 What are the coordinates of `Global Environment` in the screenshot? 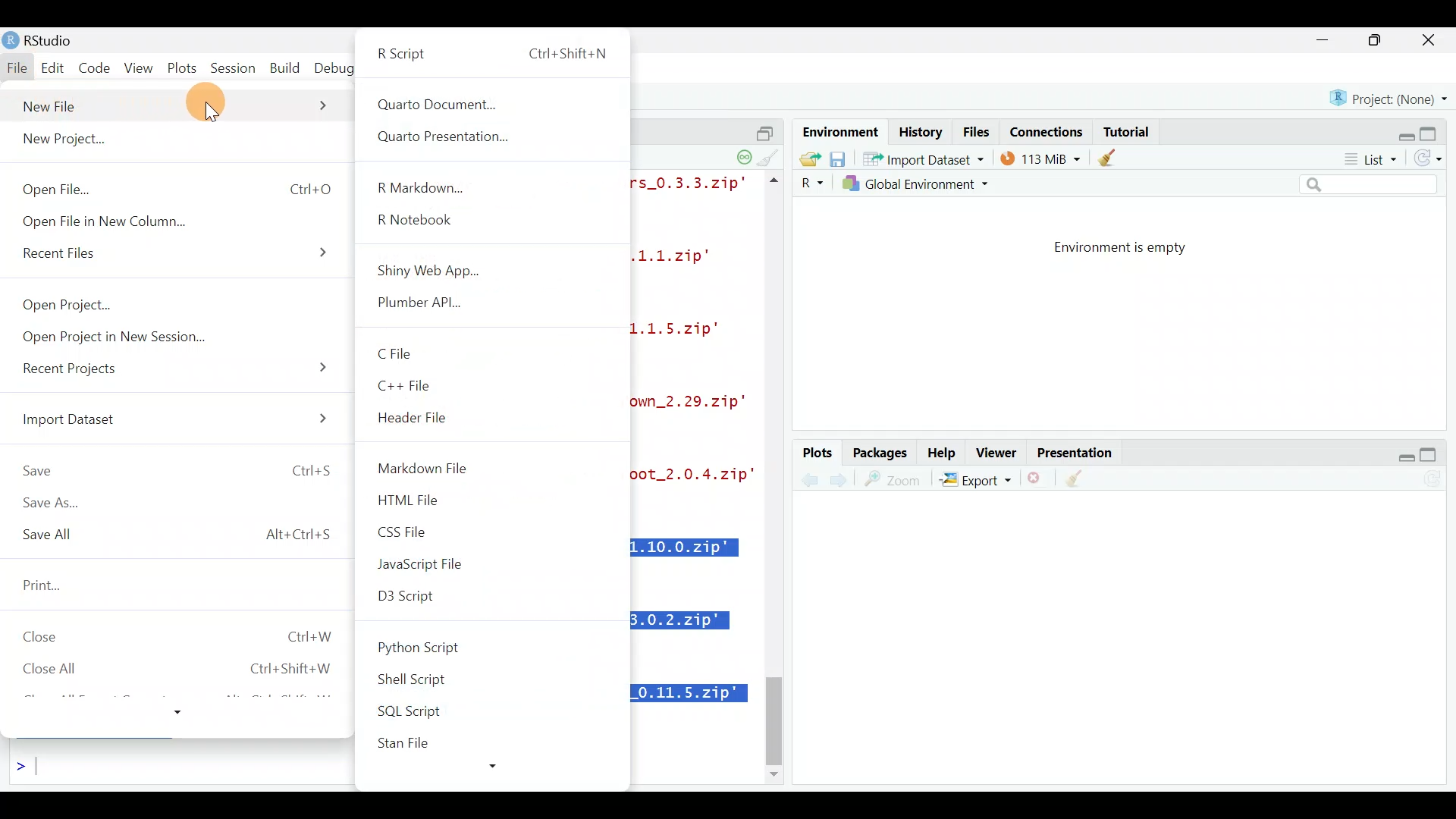 It's located at (927, 184).